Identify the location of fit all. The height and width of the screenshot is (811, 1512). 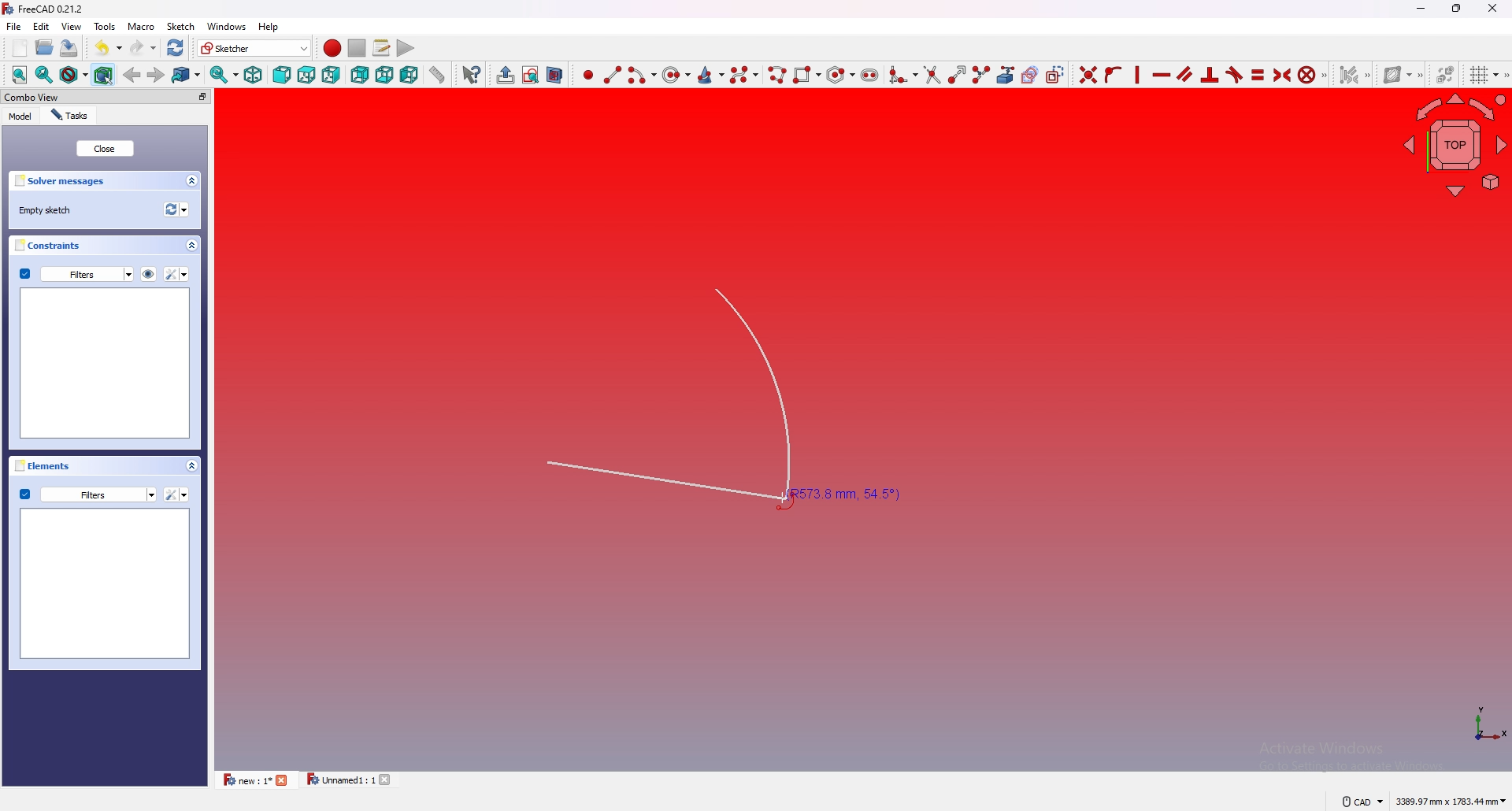
(19, 75).